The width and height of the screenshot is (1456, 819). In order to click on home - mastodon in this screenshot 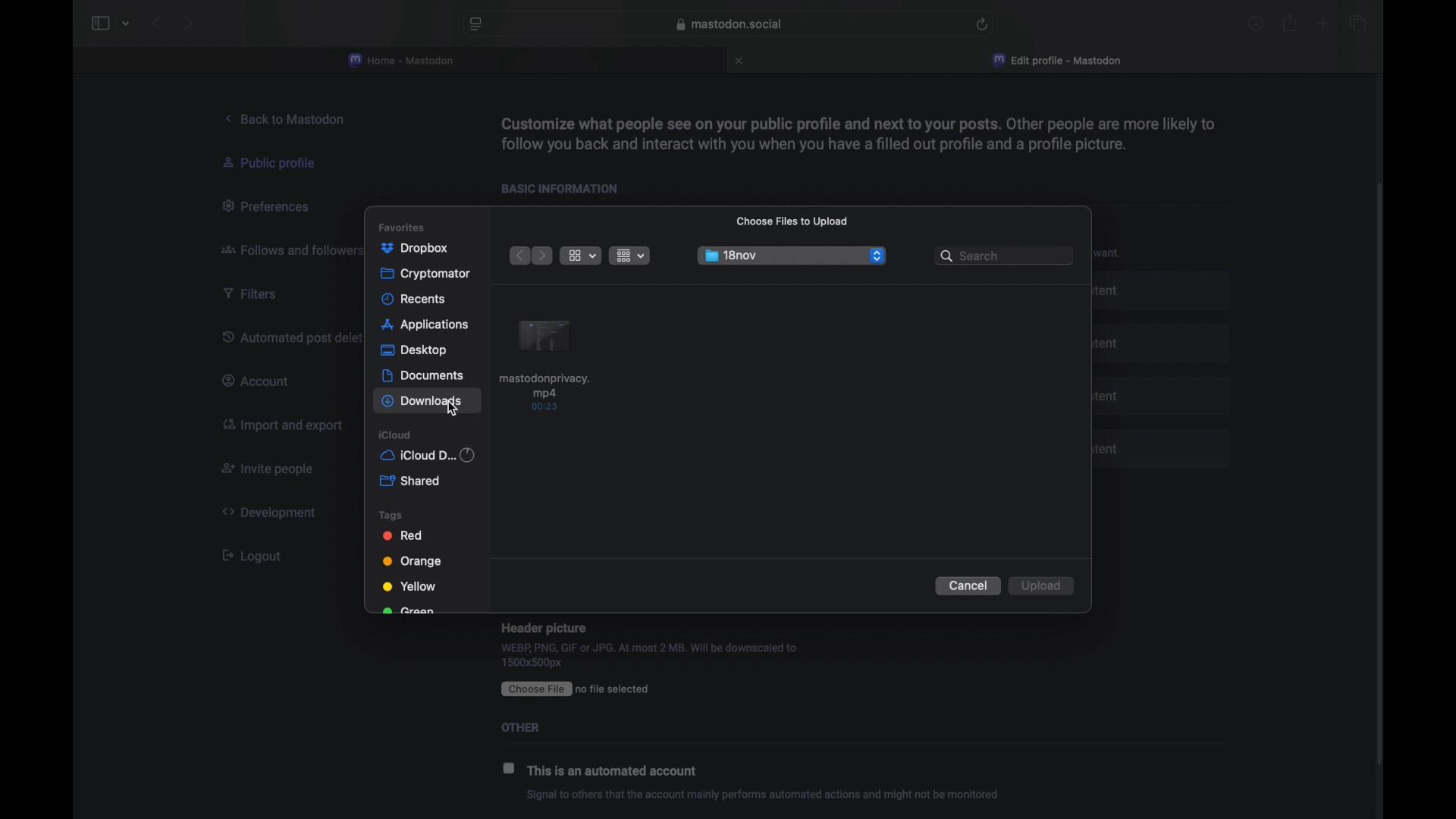, I will do `click(402, 61)`.